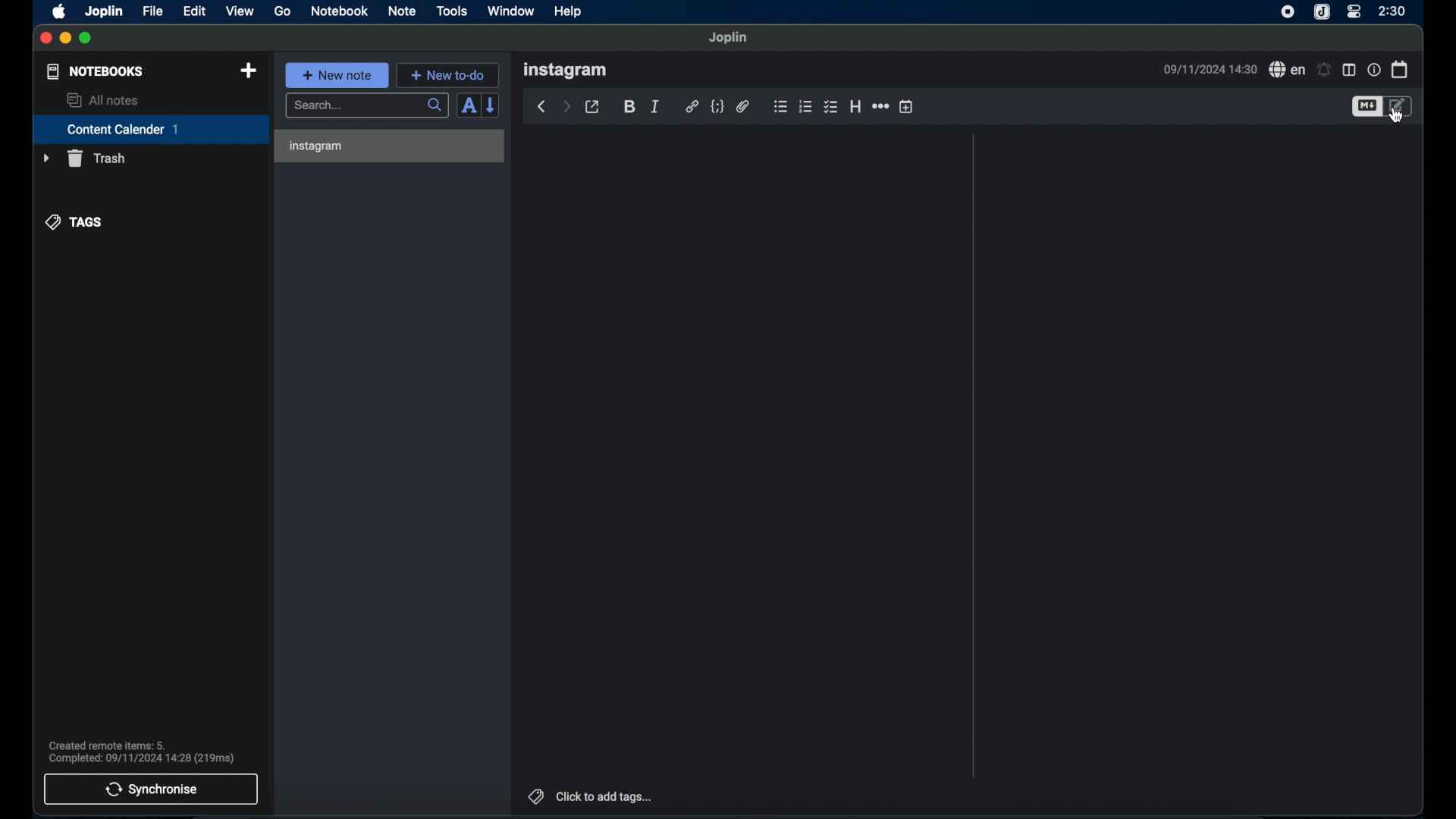 This screenshot has height=819, width=1456. What do you see at coordinates (570, 12) in the screenshot?
I see `help` at bounding box center [570, 12].